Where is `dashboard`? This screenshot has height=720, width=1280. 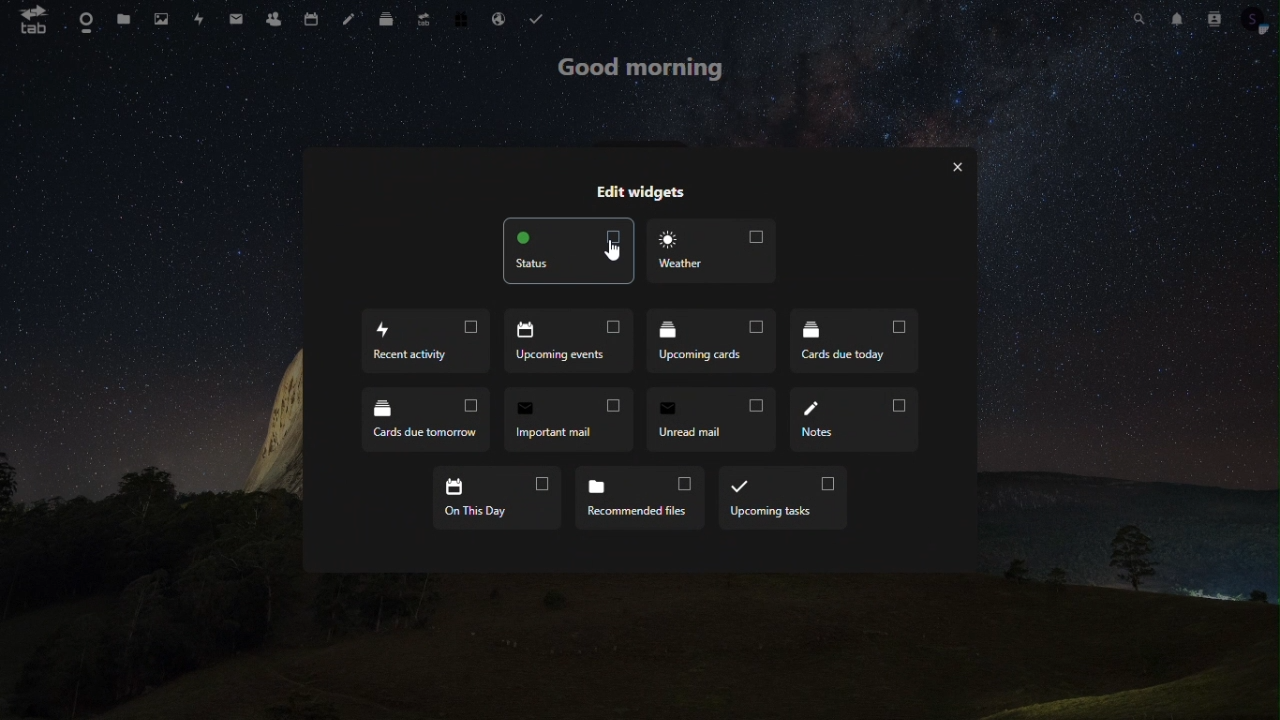
dashboard is located at coordinates (84, 20).